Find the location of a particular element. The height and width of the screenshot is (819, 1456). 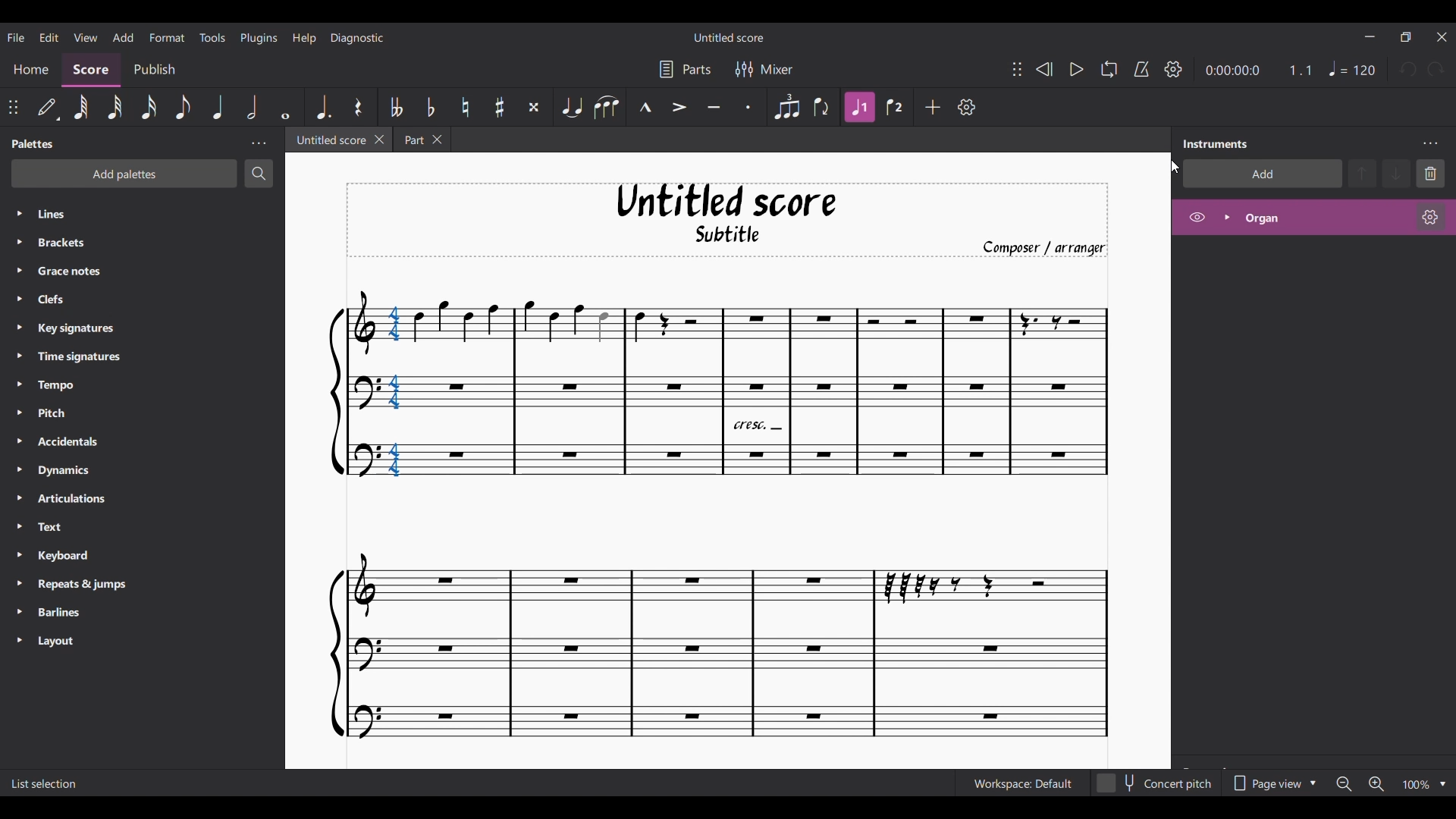

Panel title is located at coordinates (1216, 143).